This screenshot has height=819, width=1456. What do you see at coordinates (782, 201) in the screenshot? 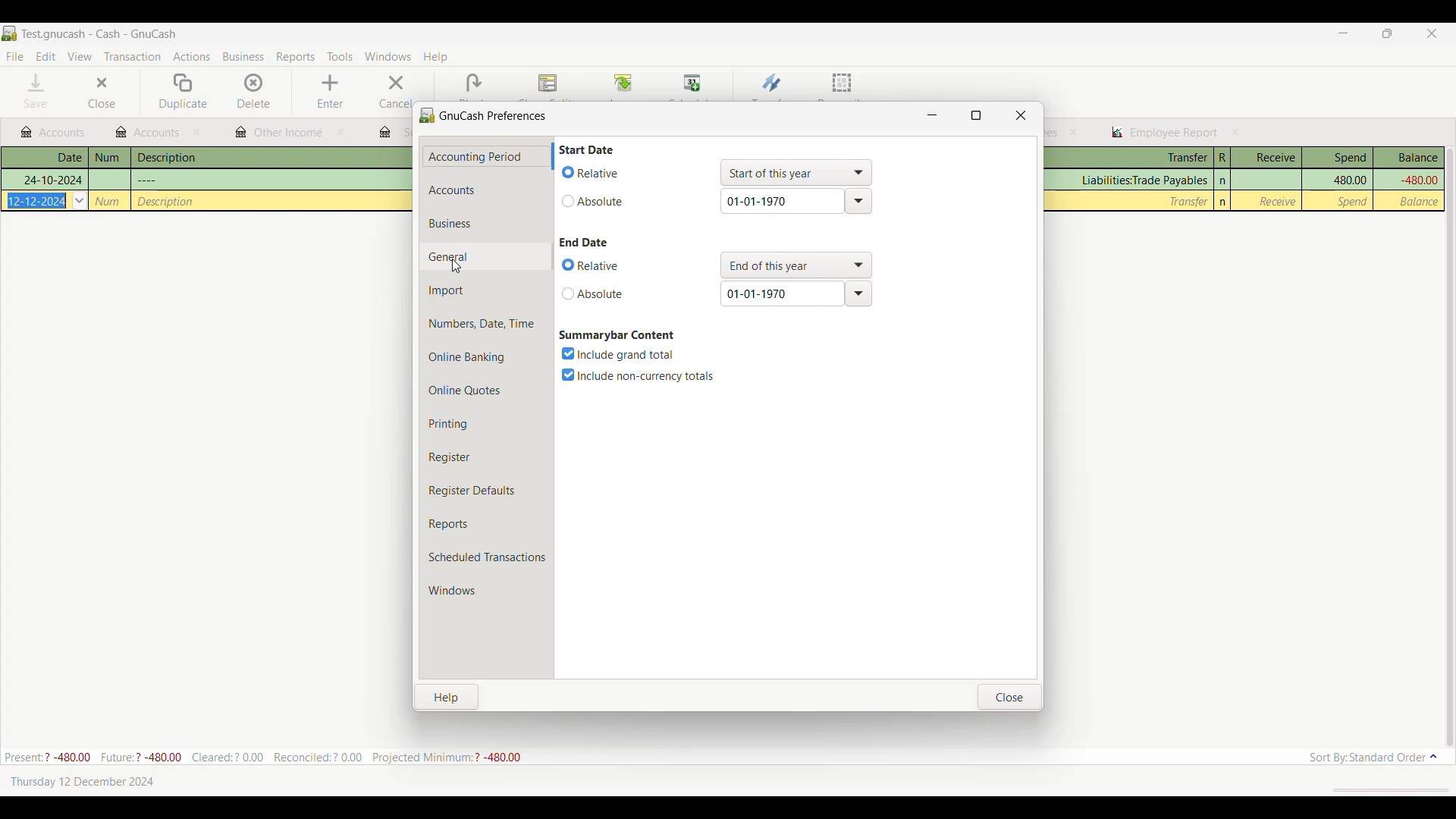
I see `Text box to type in date` at bounding box center [782, 201].